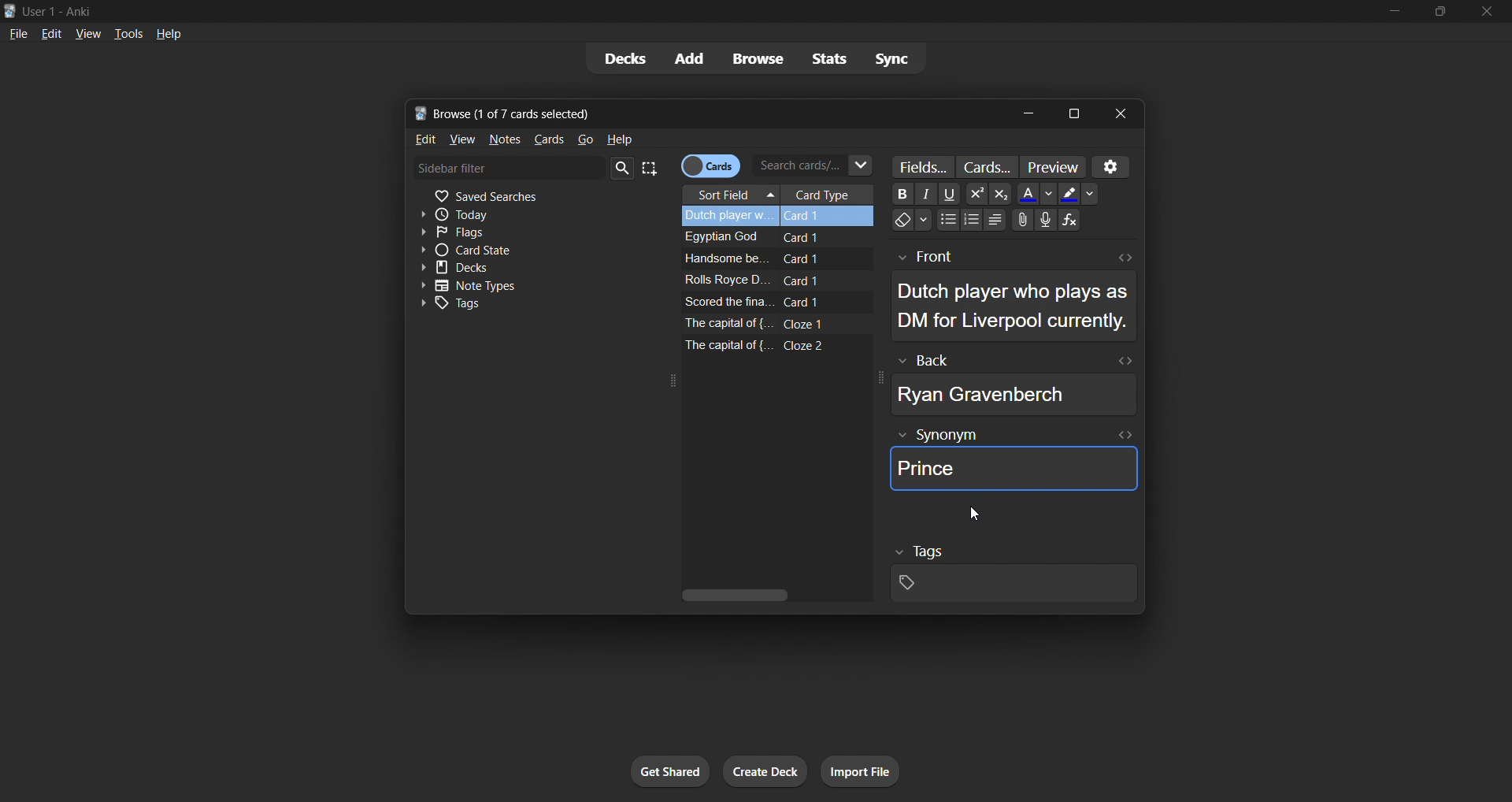 This screenshot has width=1512, height=802. Describe the element at coordinates (925, 166) in the screenshot. I see `customize fields` at that location.